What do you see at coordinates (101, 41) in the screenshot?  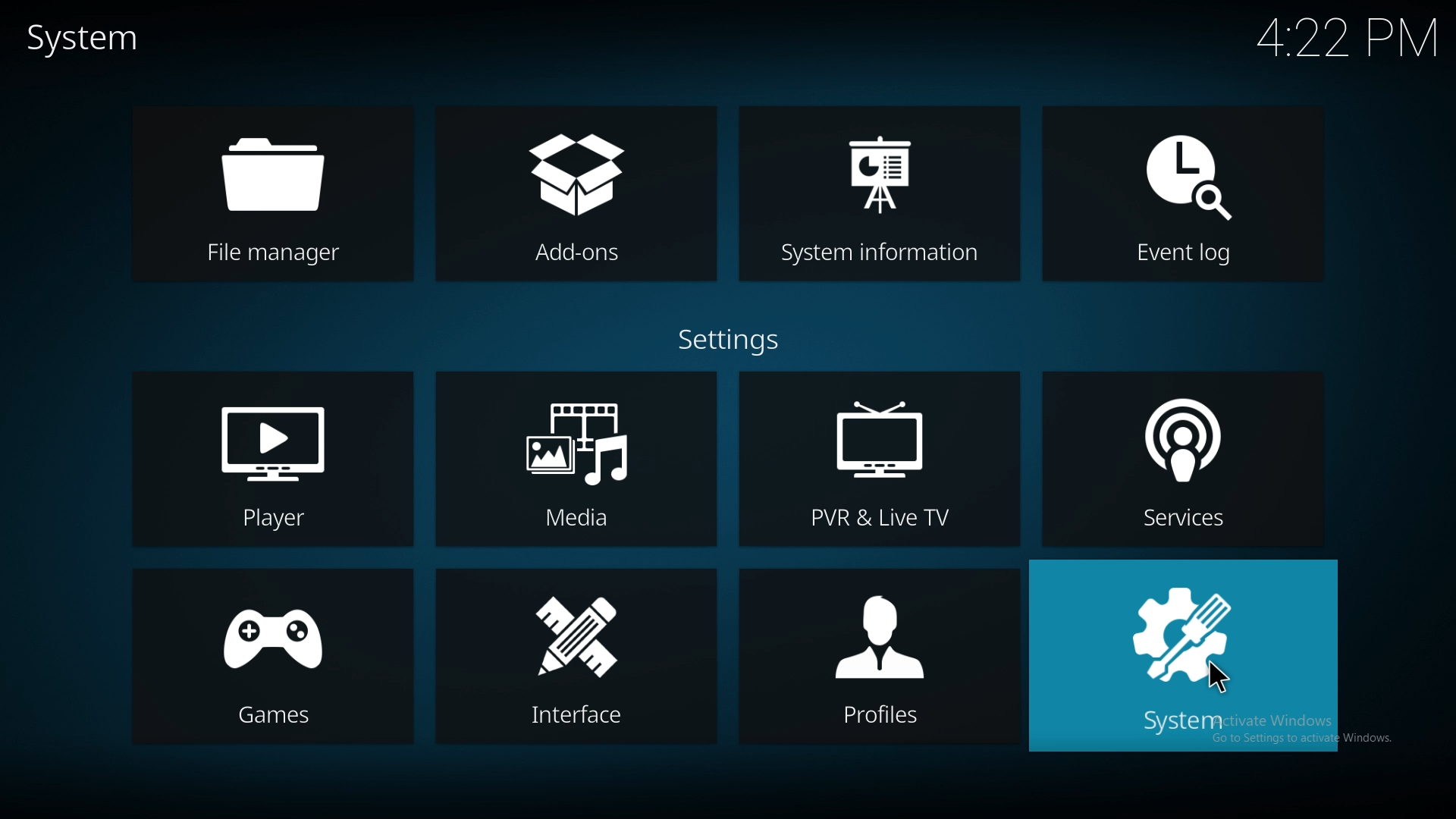 I see `system` at bounding box center [101, 41].